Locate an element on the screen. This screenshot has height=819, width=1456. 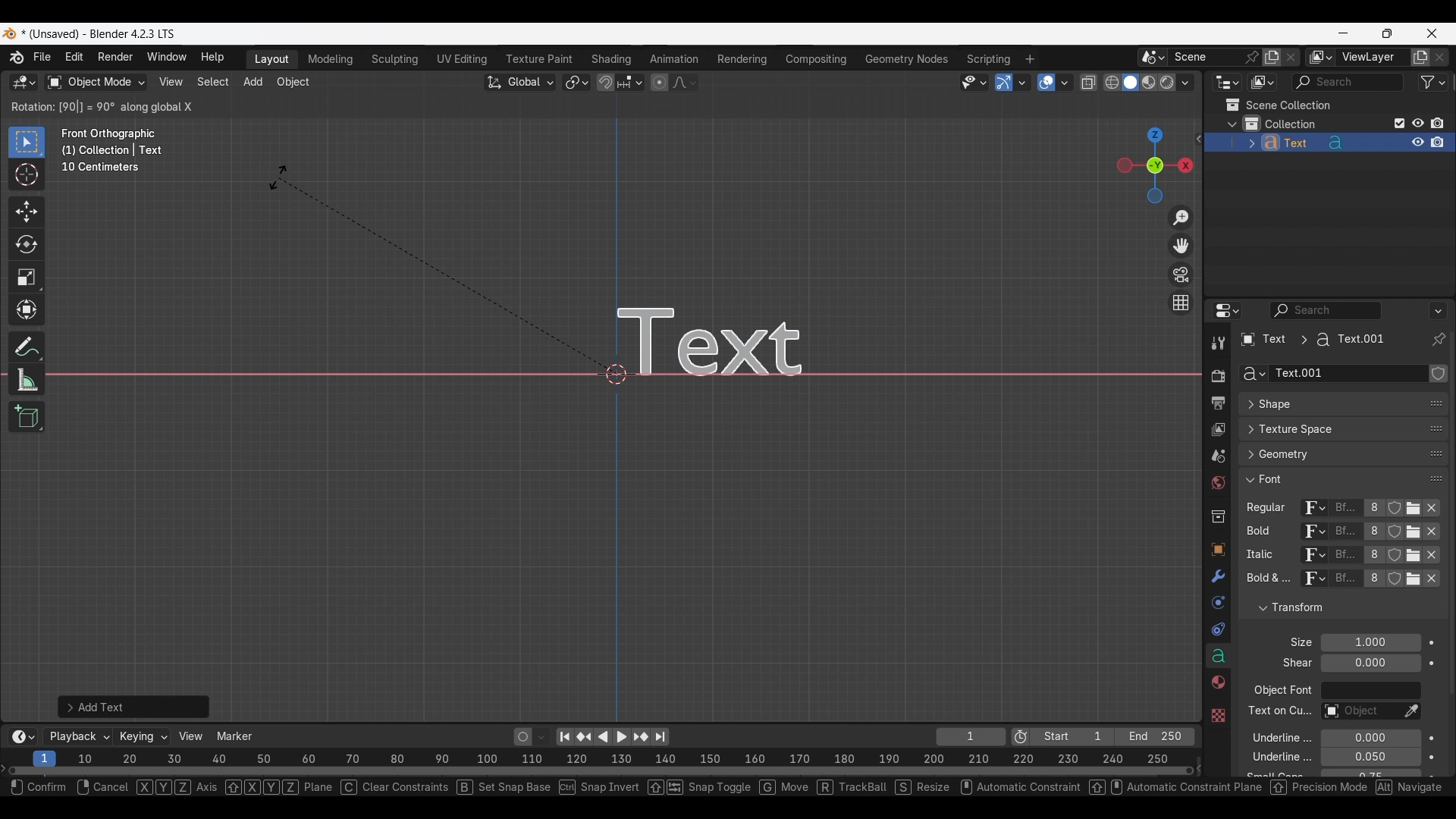
 is located at coordinates (1264, 556).